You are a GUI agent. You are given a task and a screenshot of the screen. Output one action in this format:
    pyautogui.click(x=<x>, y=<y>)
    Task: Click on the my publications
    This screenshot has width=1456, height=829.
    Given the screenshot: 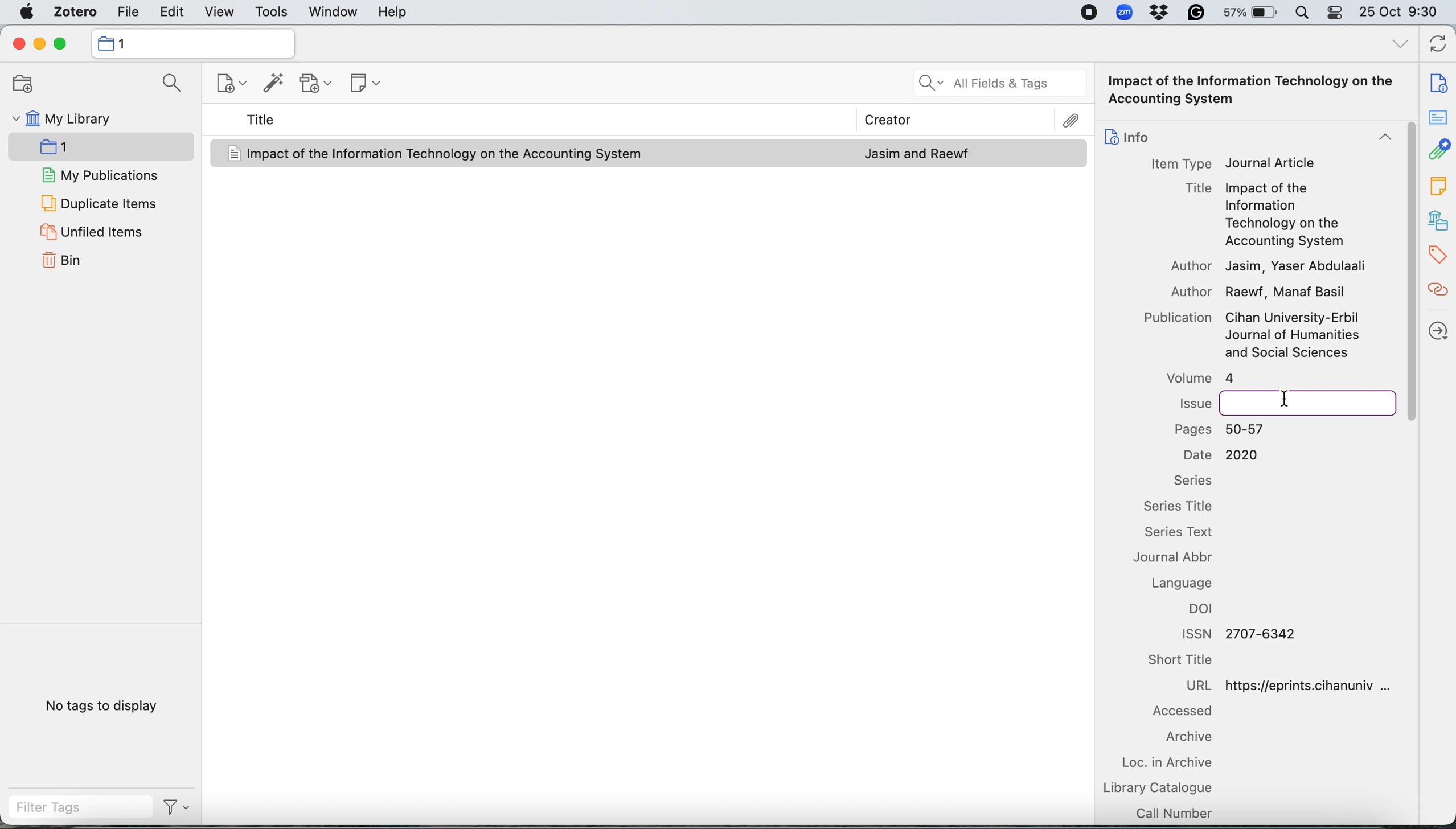 What is the action you would take?
    pyautogui.click(x=97, y=174)
    